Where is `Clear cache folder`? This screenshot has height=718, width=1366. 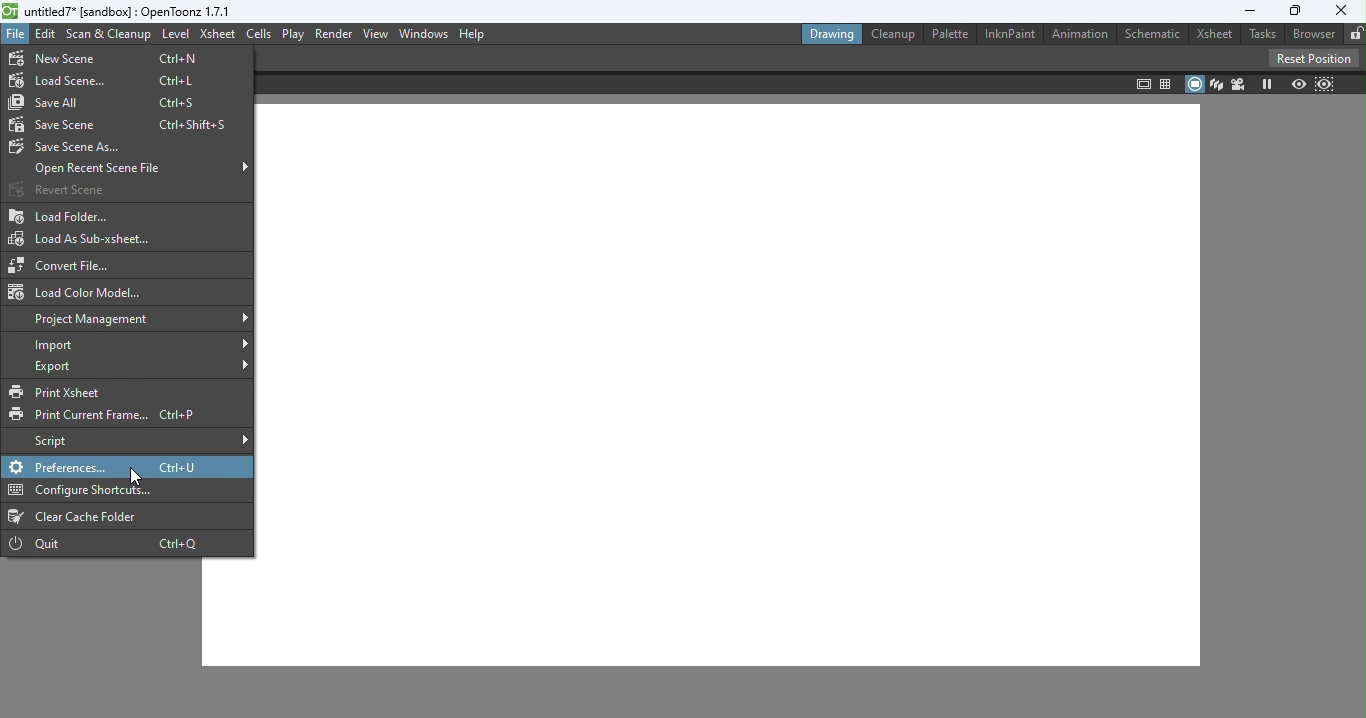
Clear cache folder is located at coordinates (80, 517).